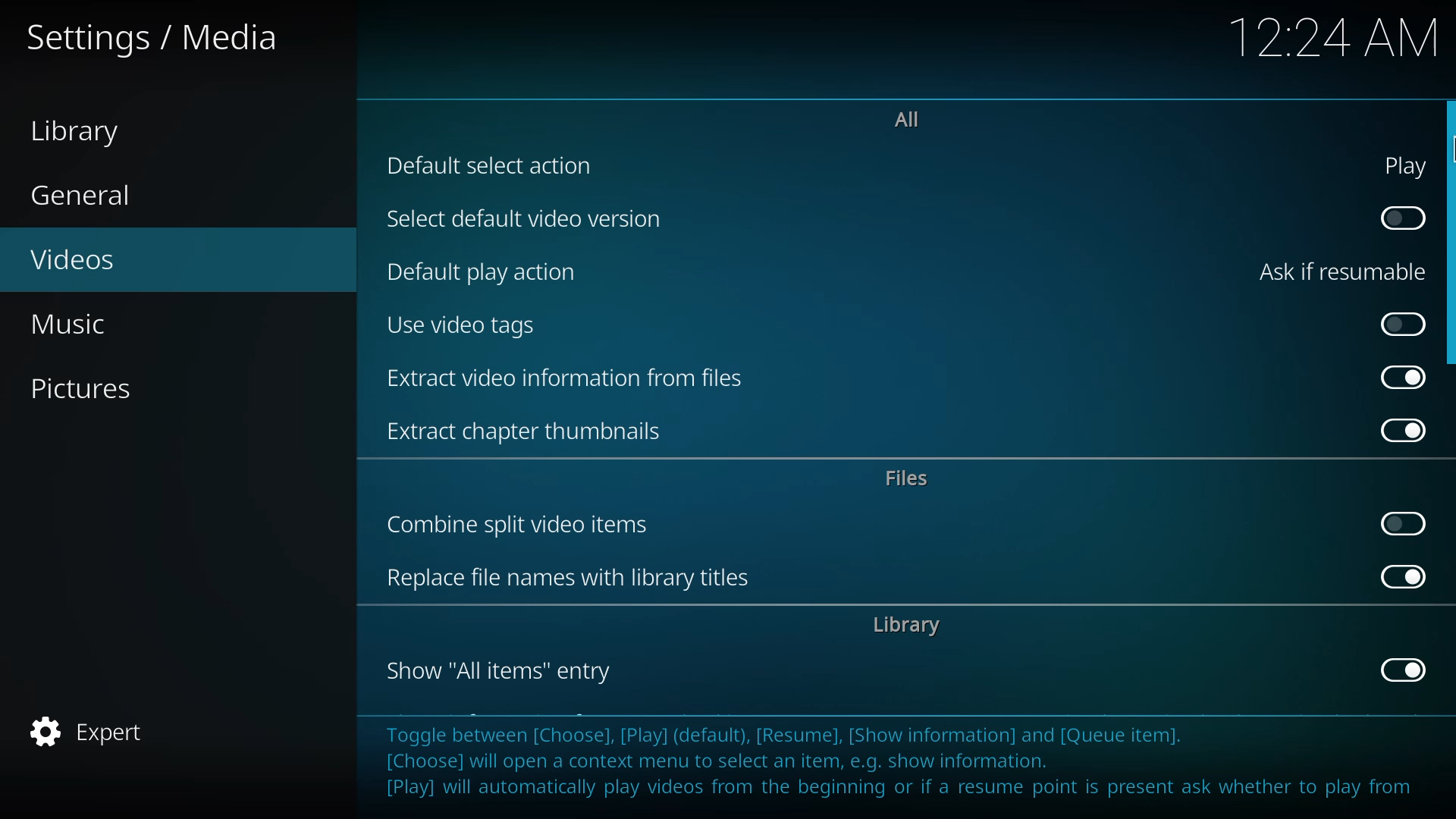  I want to click on MOUSE_DOWN Cursor, so click(1439, 171).